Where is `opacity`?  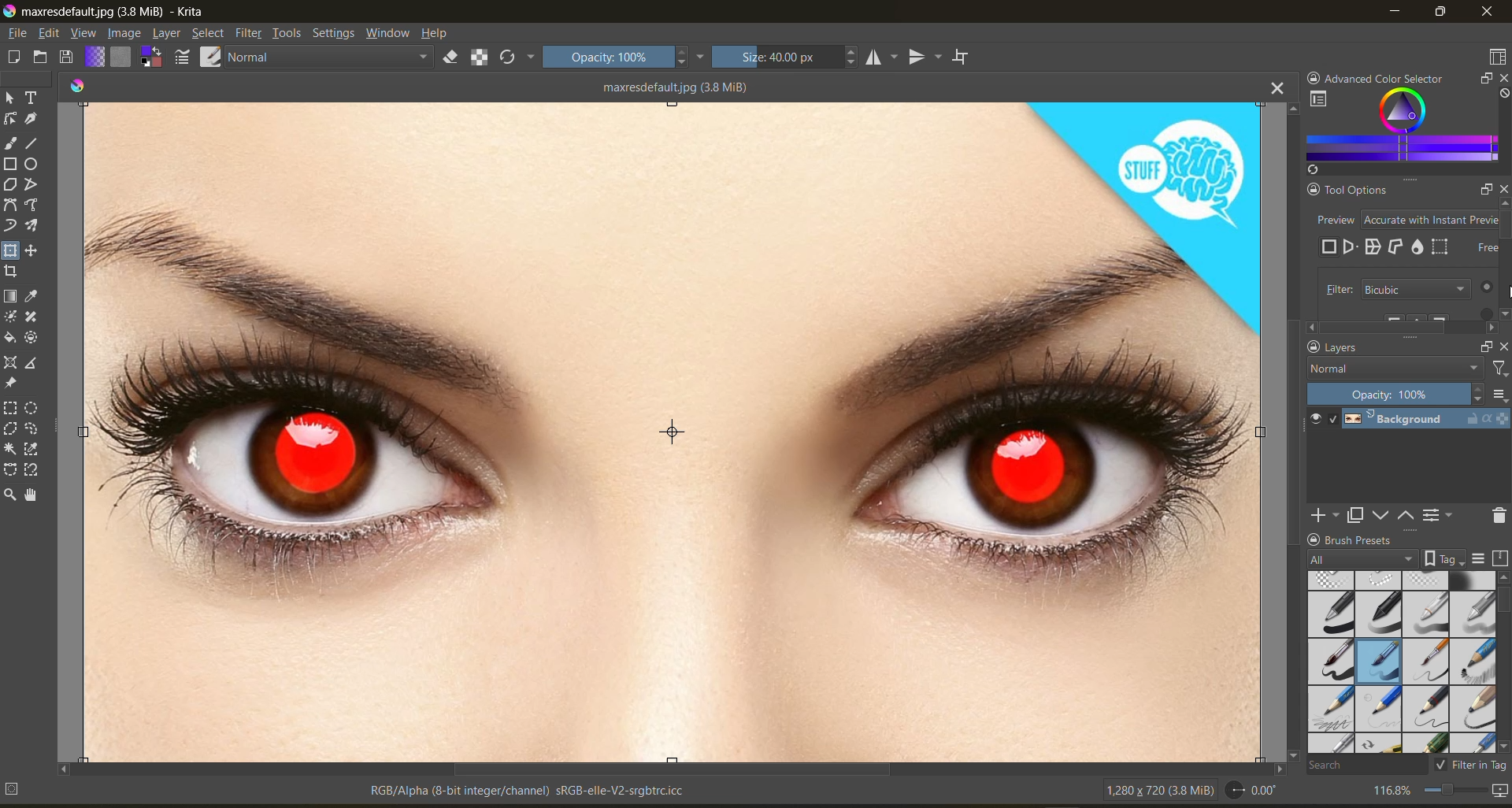 opacity is located at coordinates (624, 59).